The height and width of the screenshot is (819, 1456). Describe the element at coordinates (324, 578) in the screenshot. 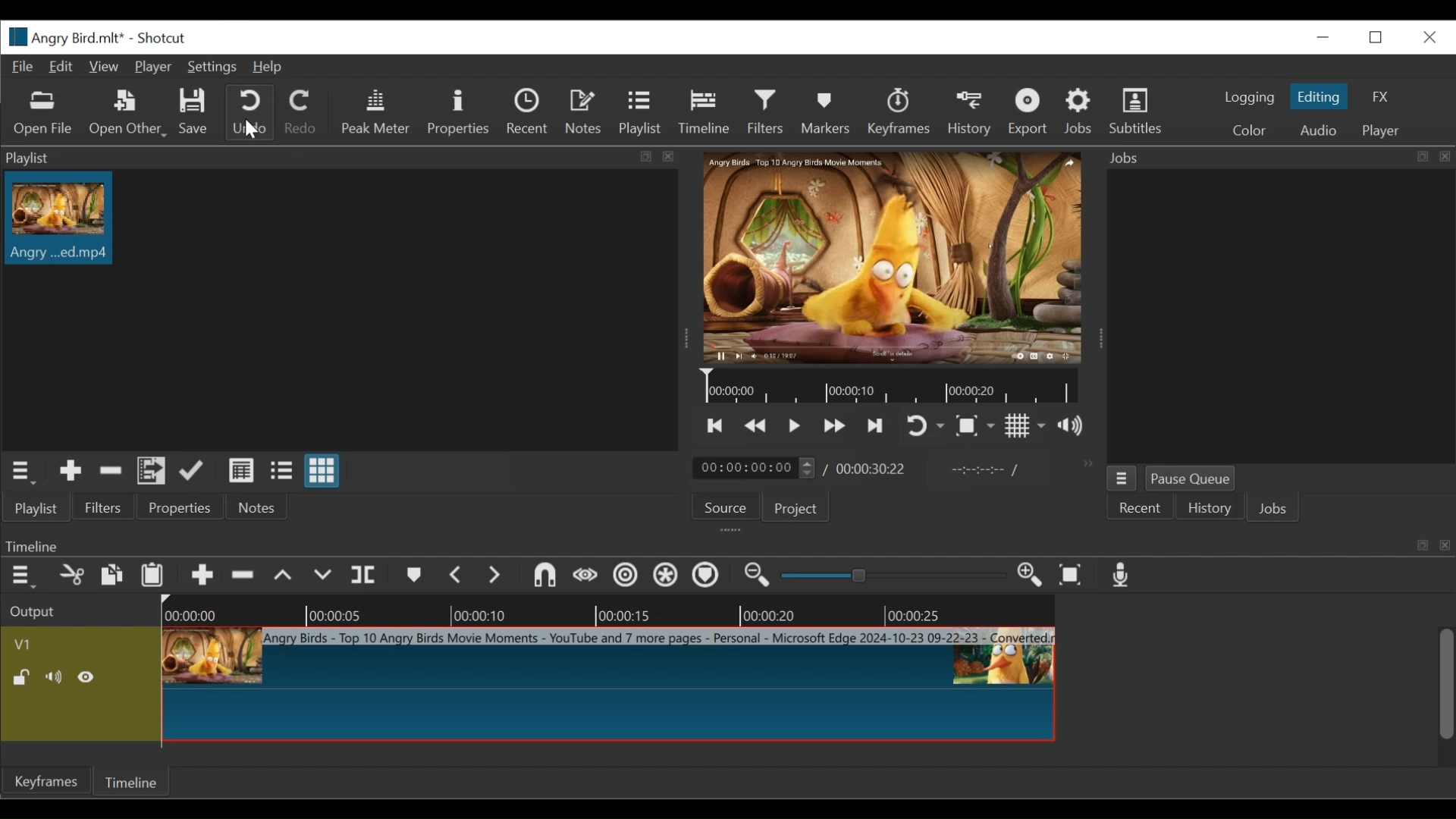

I see `Overwrite` at that location.